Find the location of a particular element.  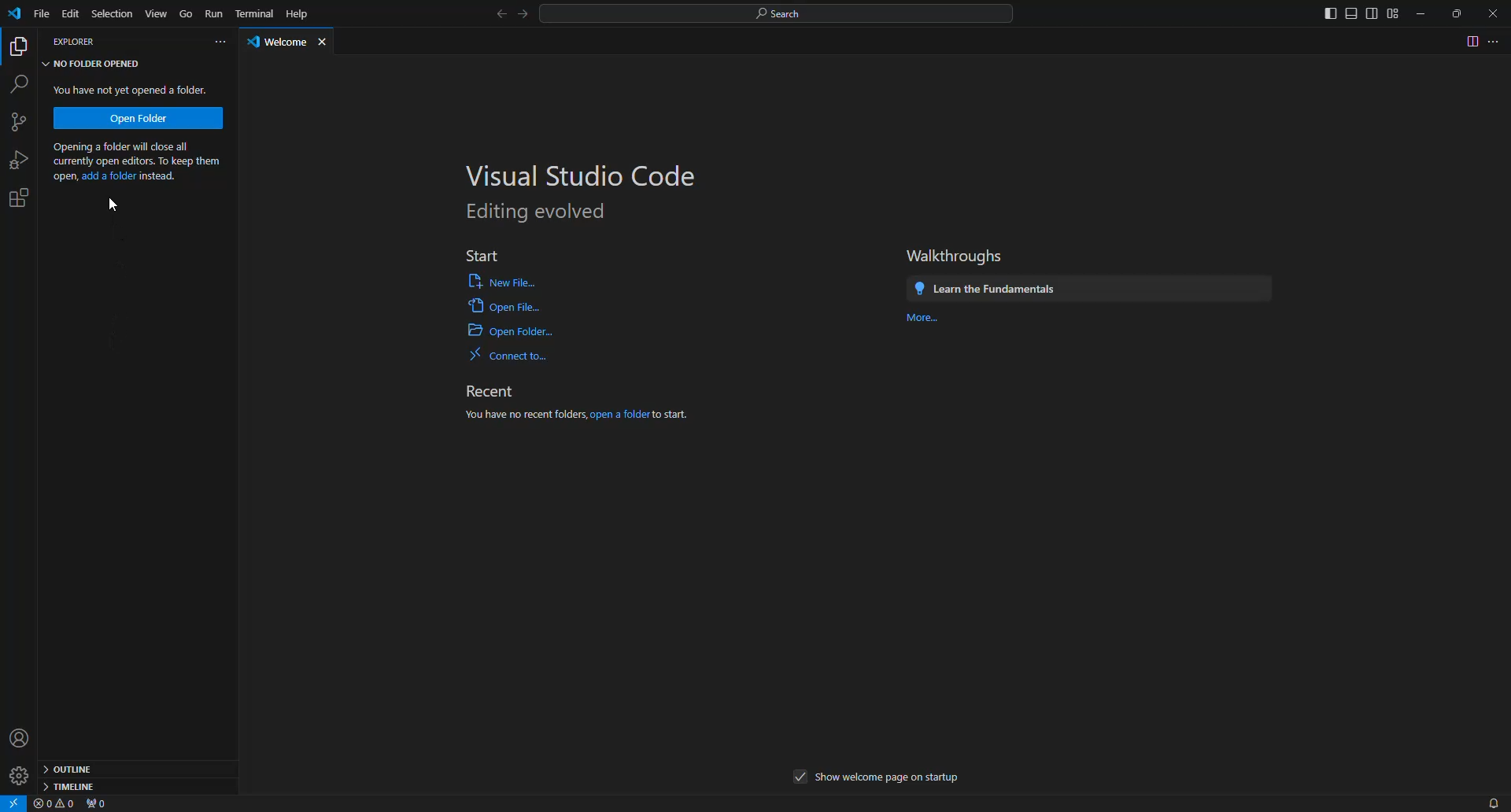

views and more actions is located at coordinates (220, 42).